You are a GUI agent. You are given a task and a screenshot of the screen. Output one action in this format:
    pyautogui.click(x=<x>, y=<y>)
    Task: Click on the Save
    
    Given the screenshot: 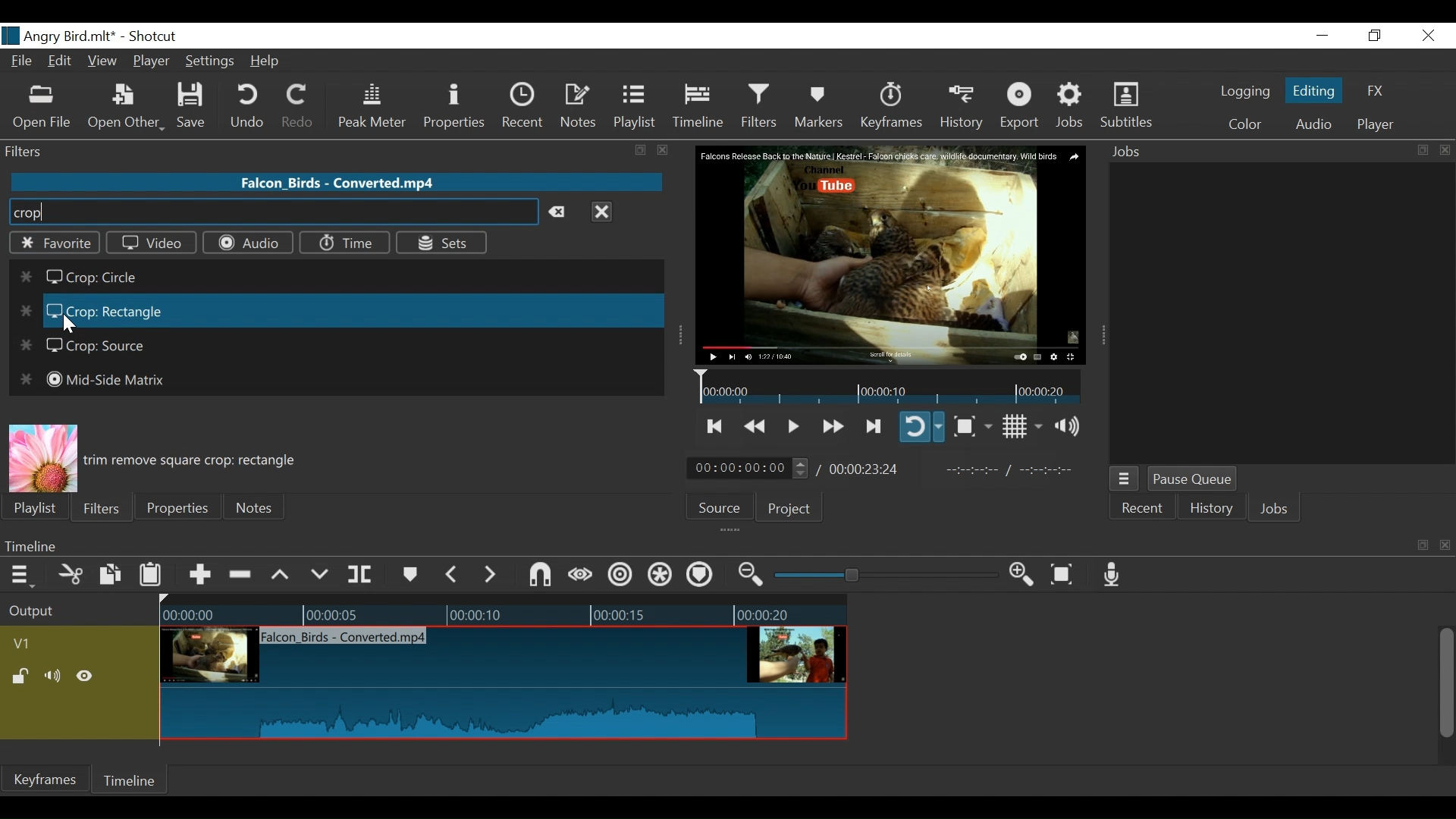 What is the action you would take?
    pyautogui.click(x=196, y=106)
    